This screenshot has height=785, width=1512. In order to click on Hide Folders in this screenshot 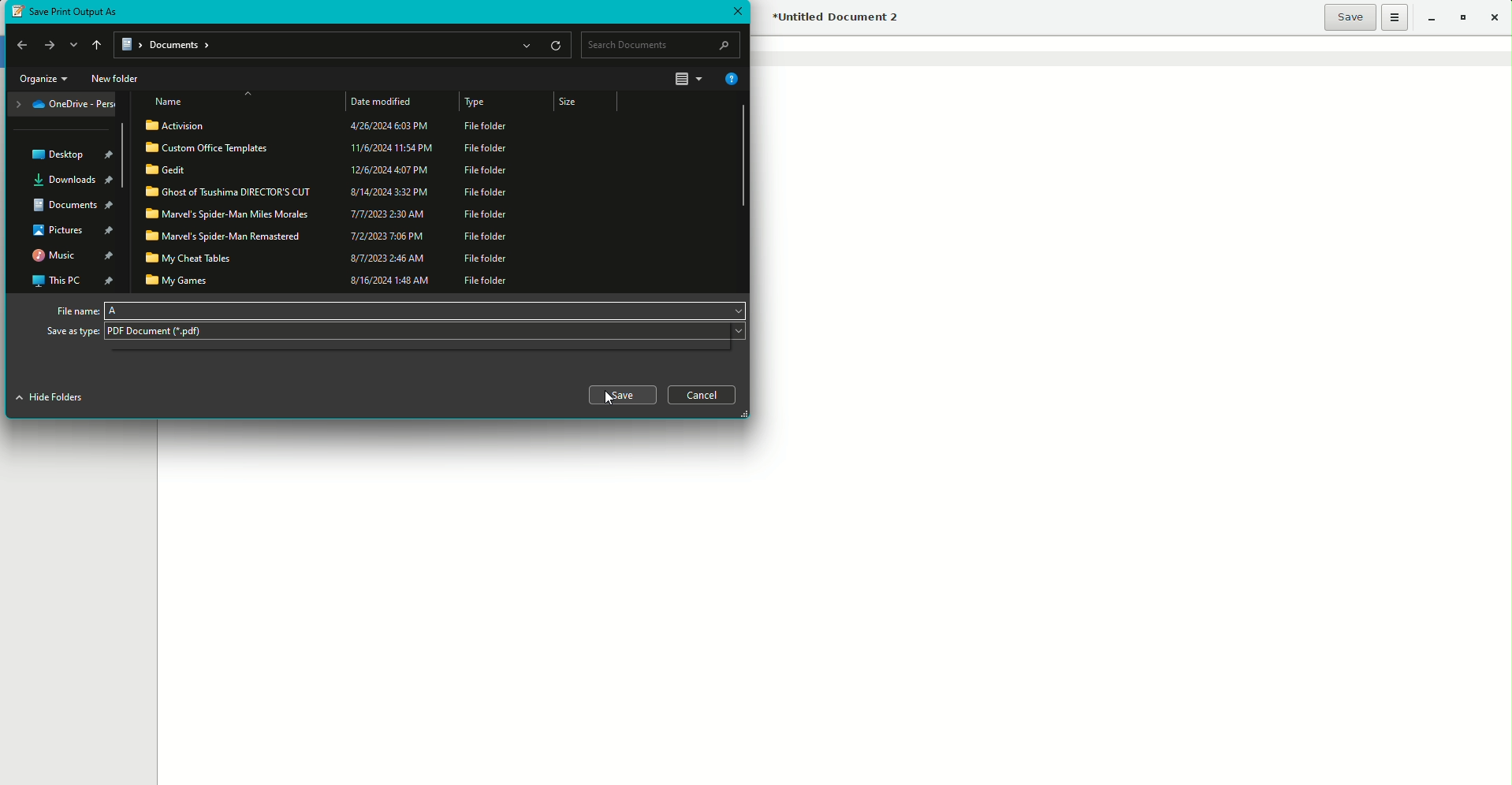, I will do `click(56, 399)`.